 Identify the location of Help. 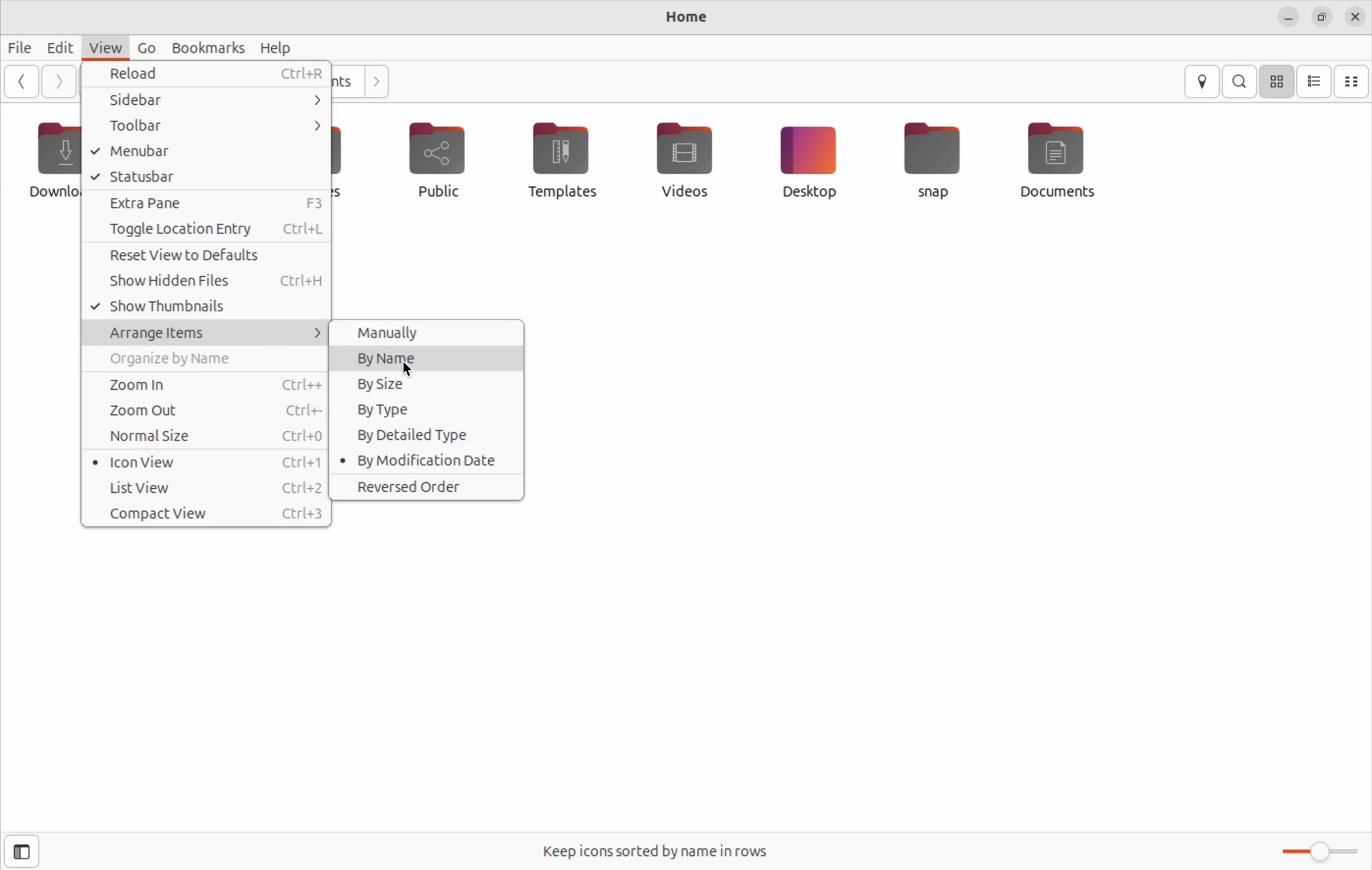
(276, 47).